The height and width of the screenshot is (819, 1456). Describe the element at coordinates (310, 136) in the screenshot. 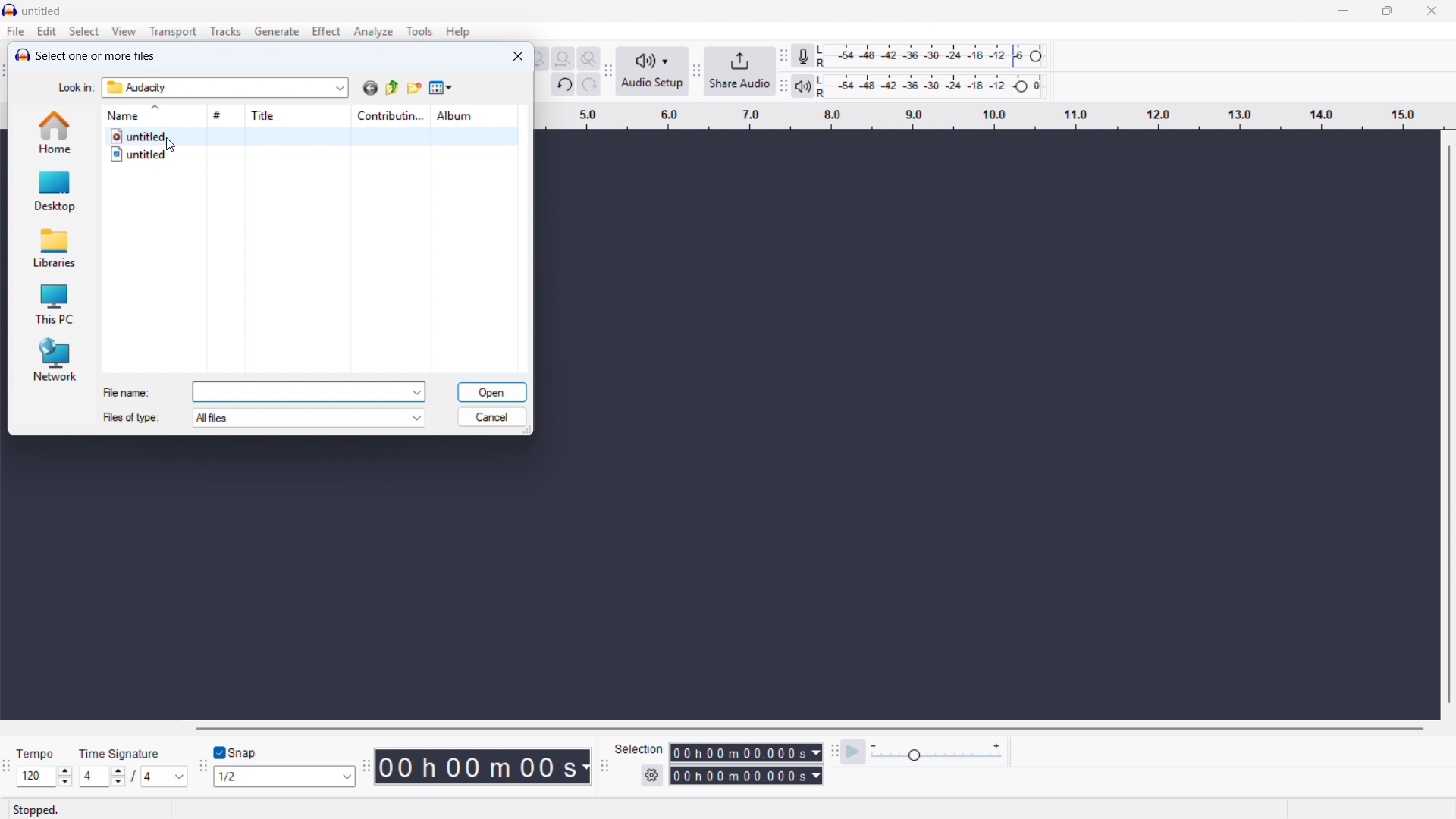

I see `untitled.mp3` at that location.